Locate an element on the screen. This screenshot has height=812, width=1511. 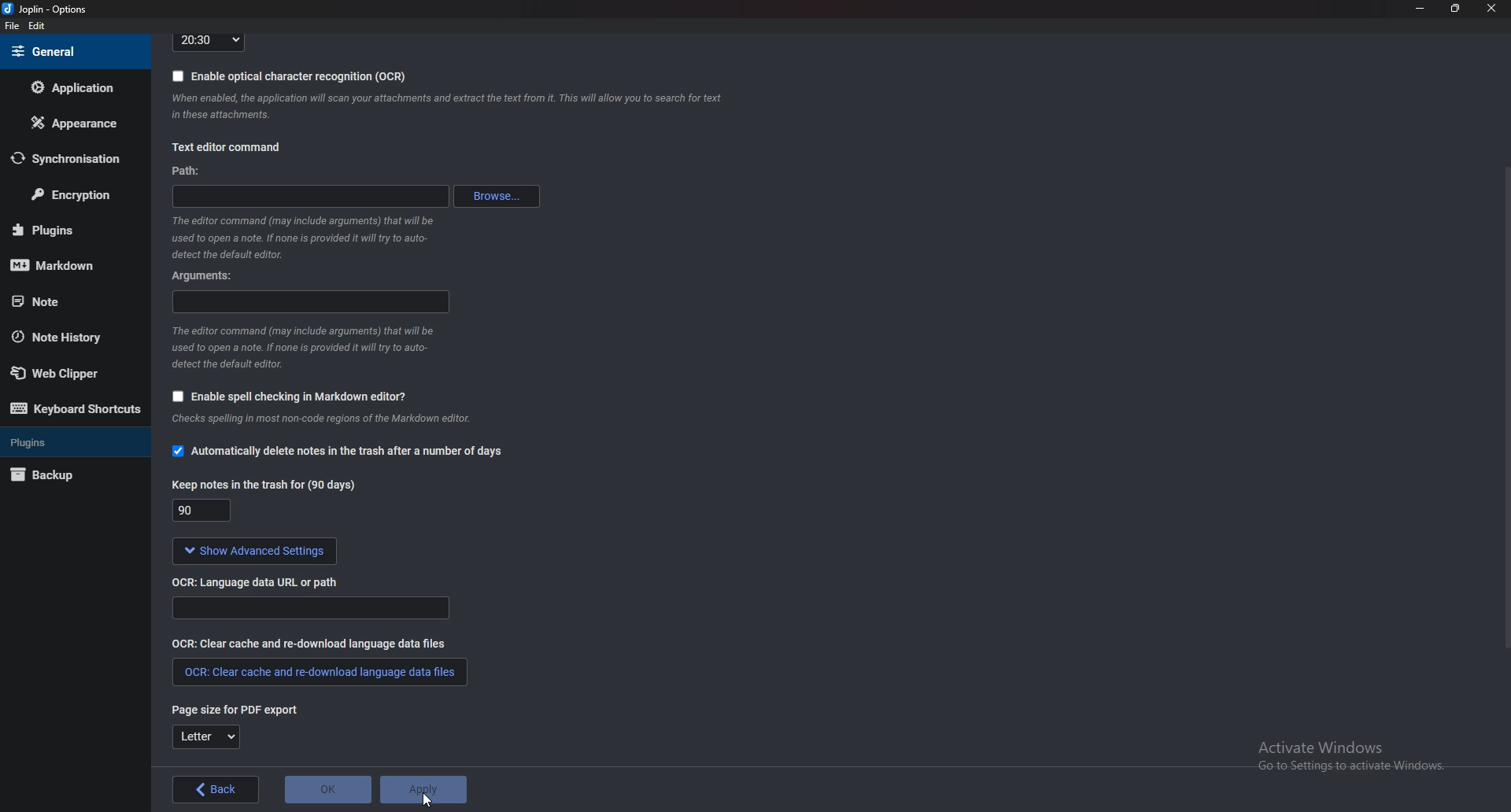
Web clipper is located at coordinates (70, 374).